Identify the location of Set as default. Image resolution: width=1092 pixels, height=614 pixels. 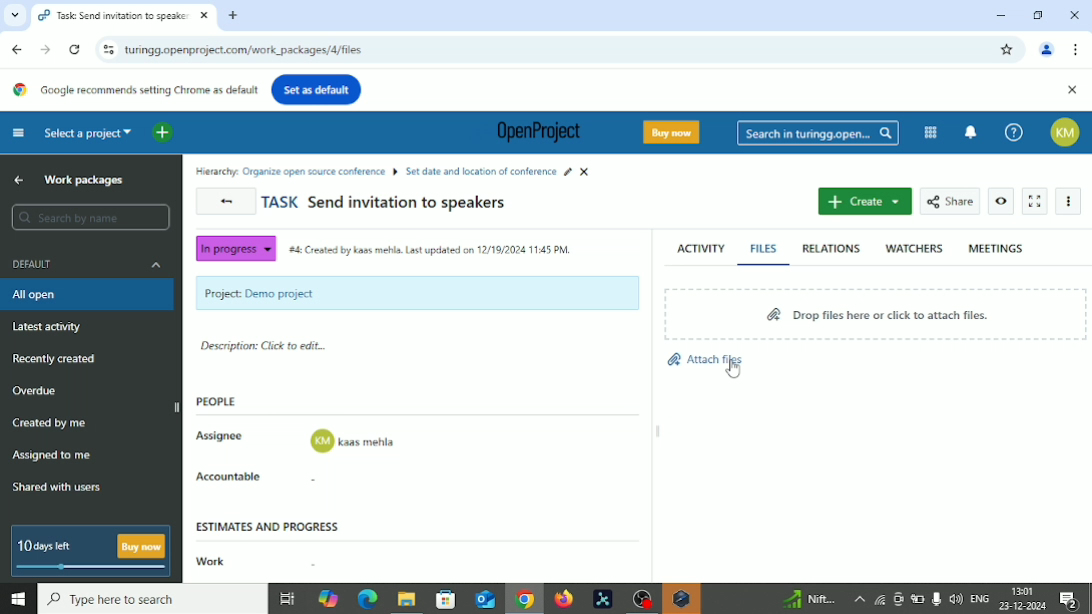
(316, 89).